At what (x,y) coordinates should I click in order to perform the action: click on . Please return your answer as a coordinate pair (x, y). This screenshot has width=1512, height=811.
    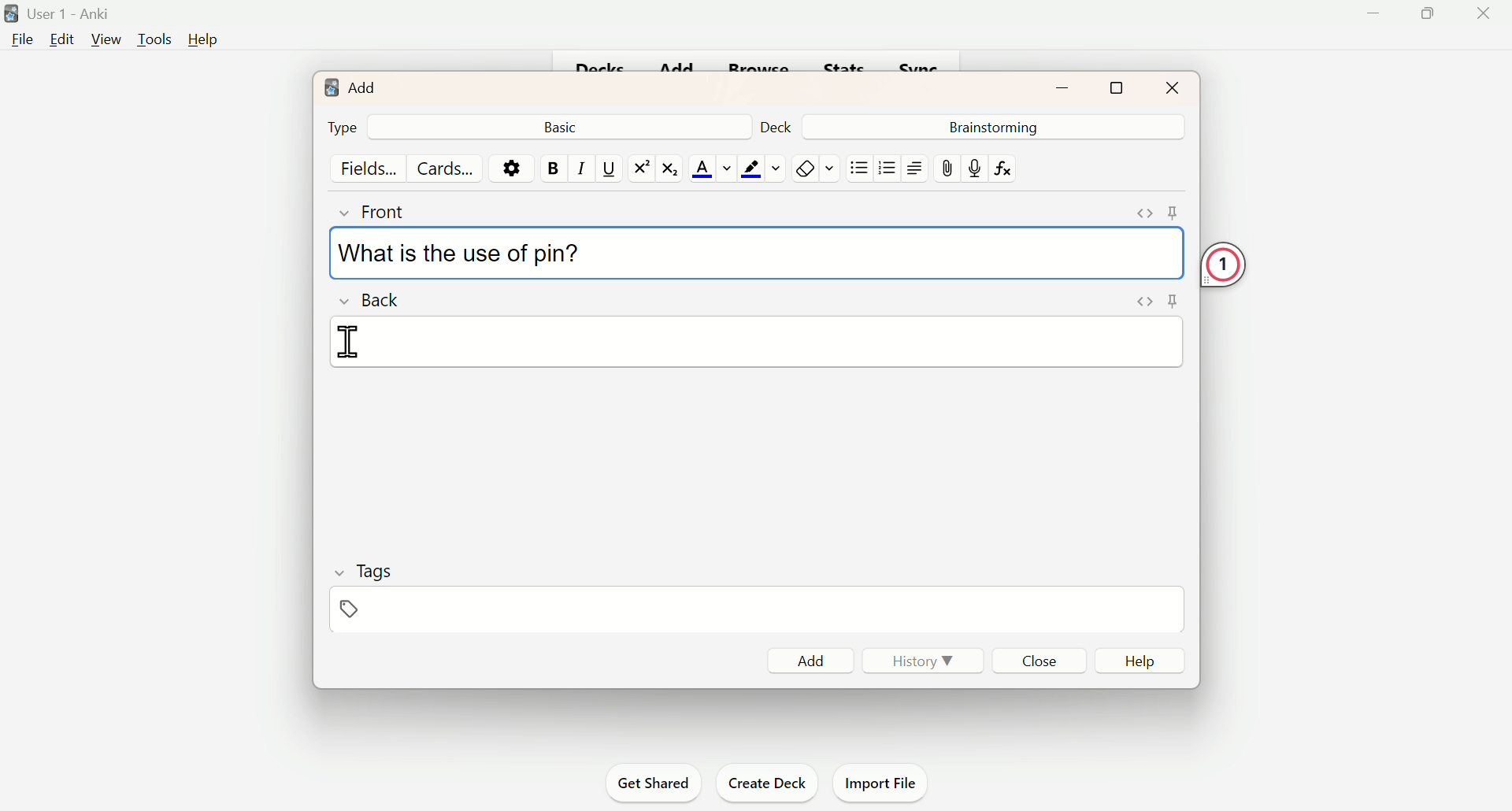
    Looking at the image, I should click on (350, 128).